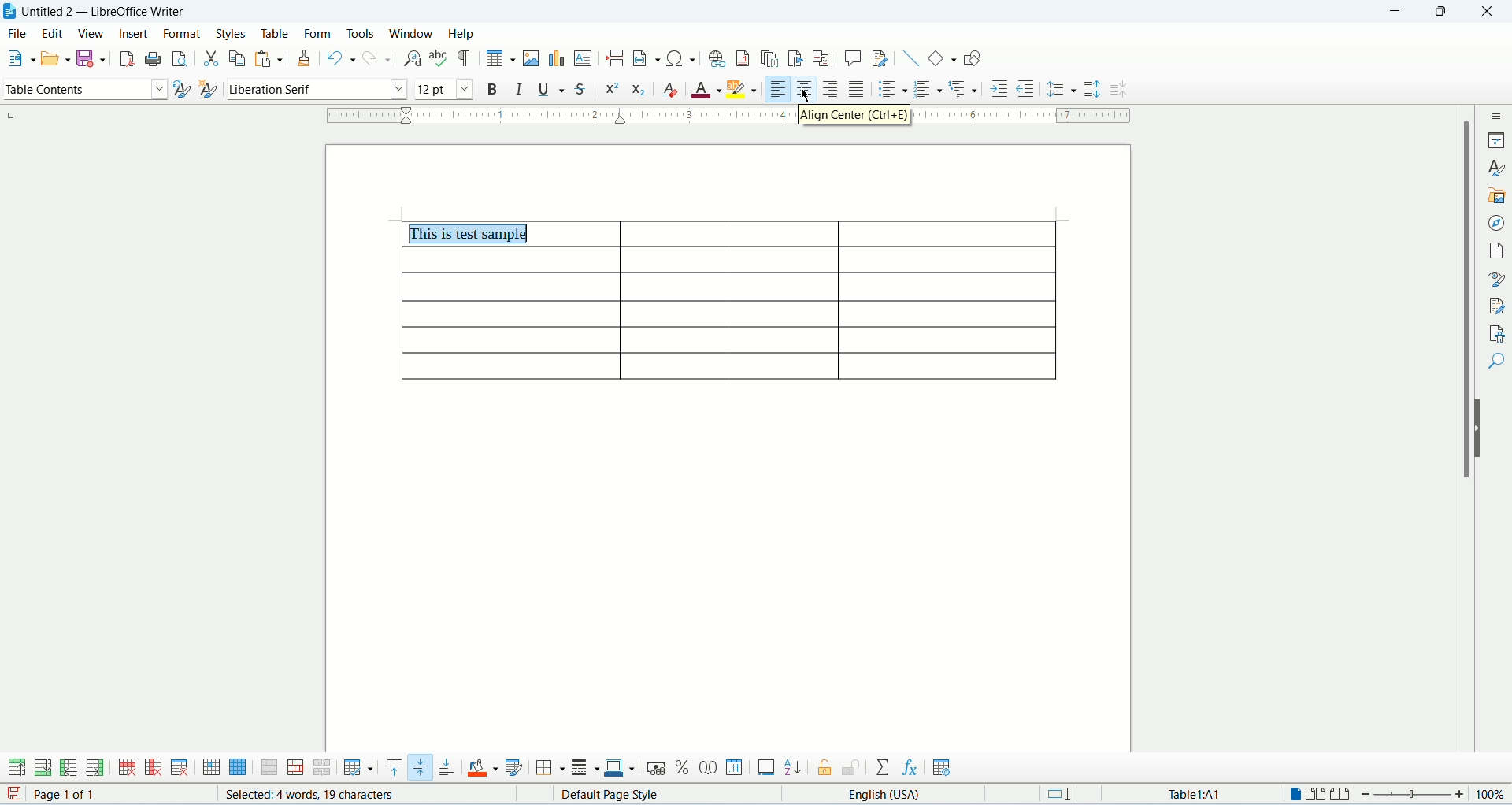 This screenshot has height=805, width=1512. I want to click on formatting marks, so click(465, 57).